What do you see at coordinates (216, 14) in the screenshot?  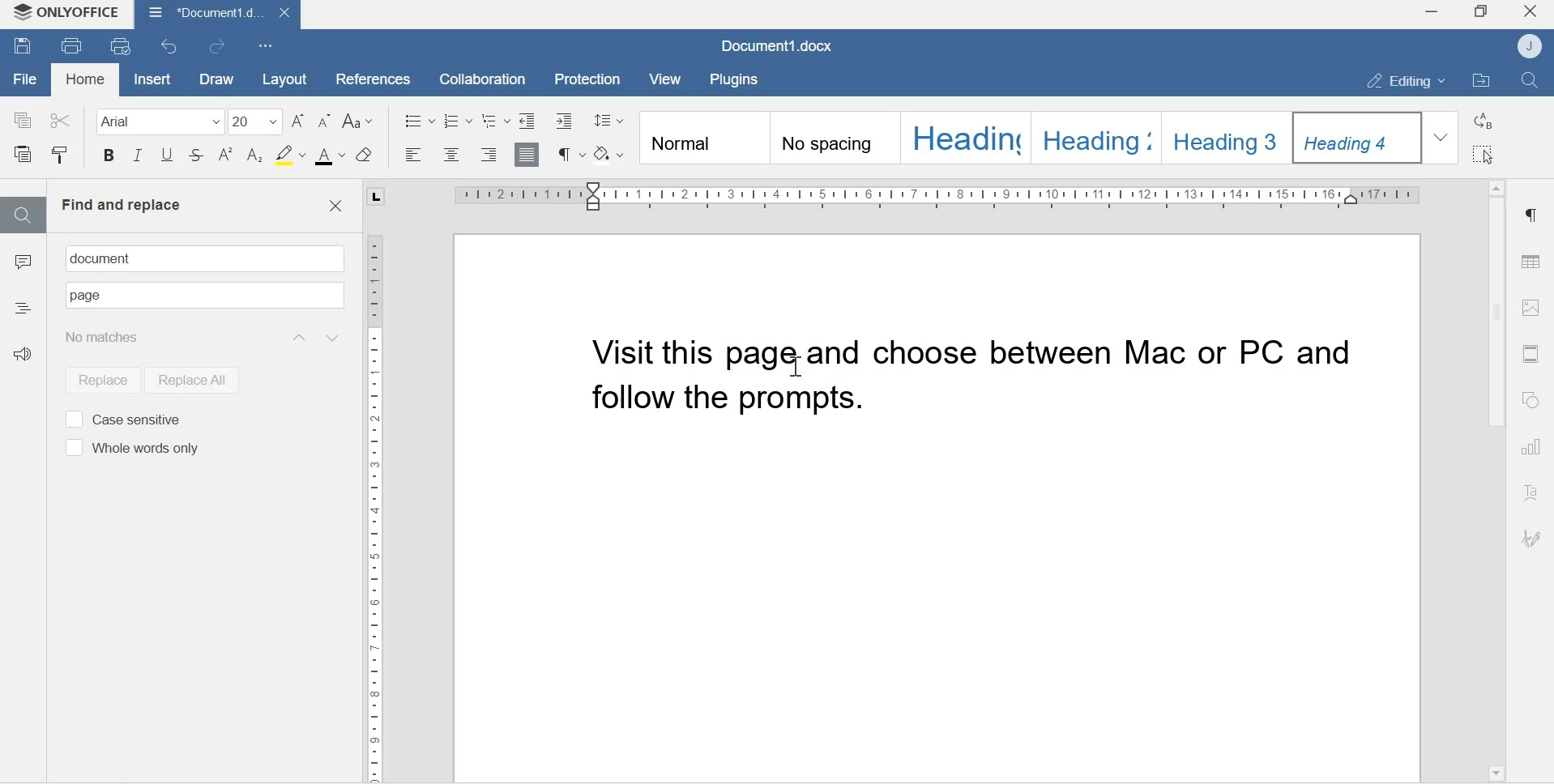 I see `Document1.docx` at bounding box center [216, 14].